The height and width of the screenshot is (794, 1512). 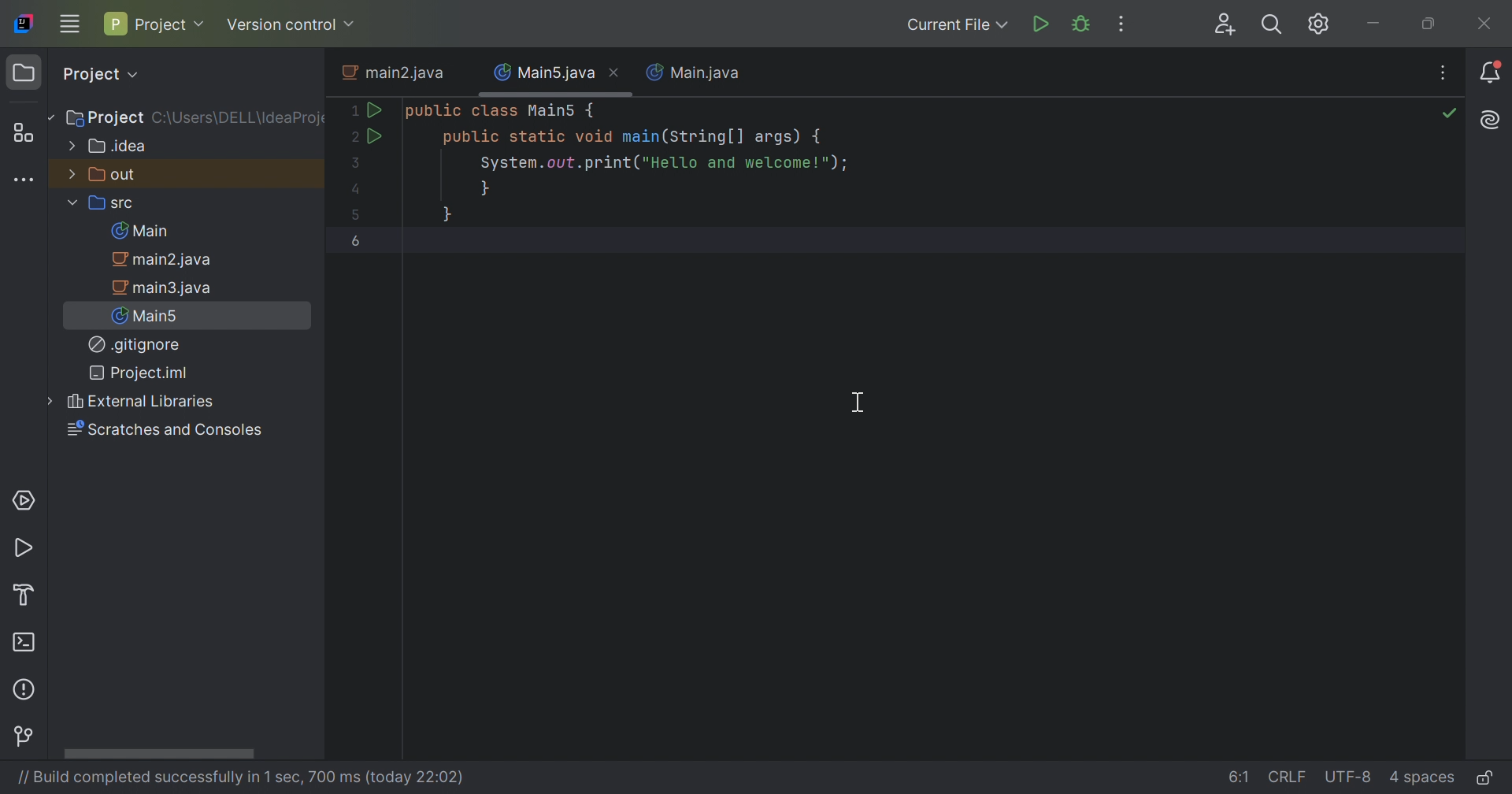 What do you see at coordinates (24, 21) in the screenshot?
I see `IntelliJ IDEA icon` at bounding box center [24, 21].